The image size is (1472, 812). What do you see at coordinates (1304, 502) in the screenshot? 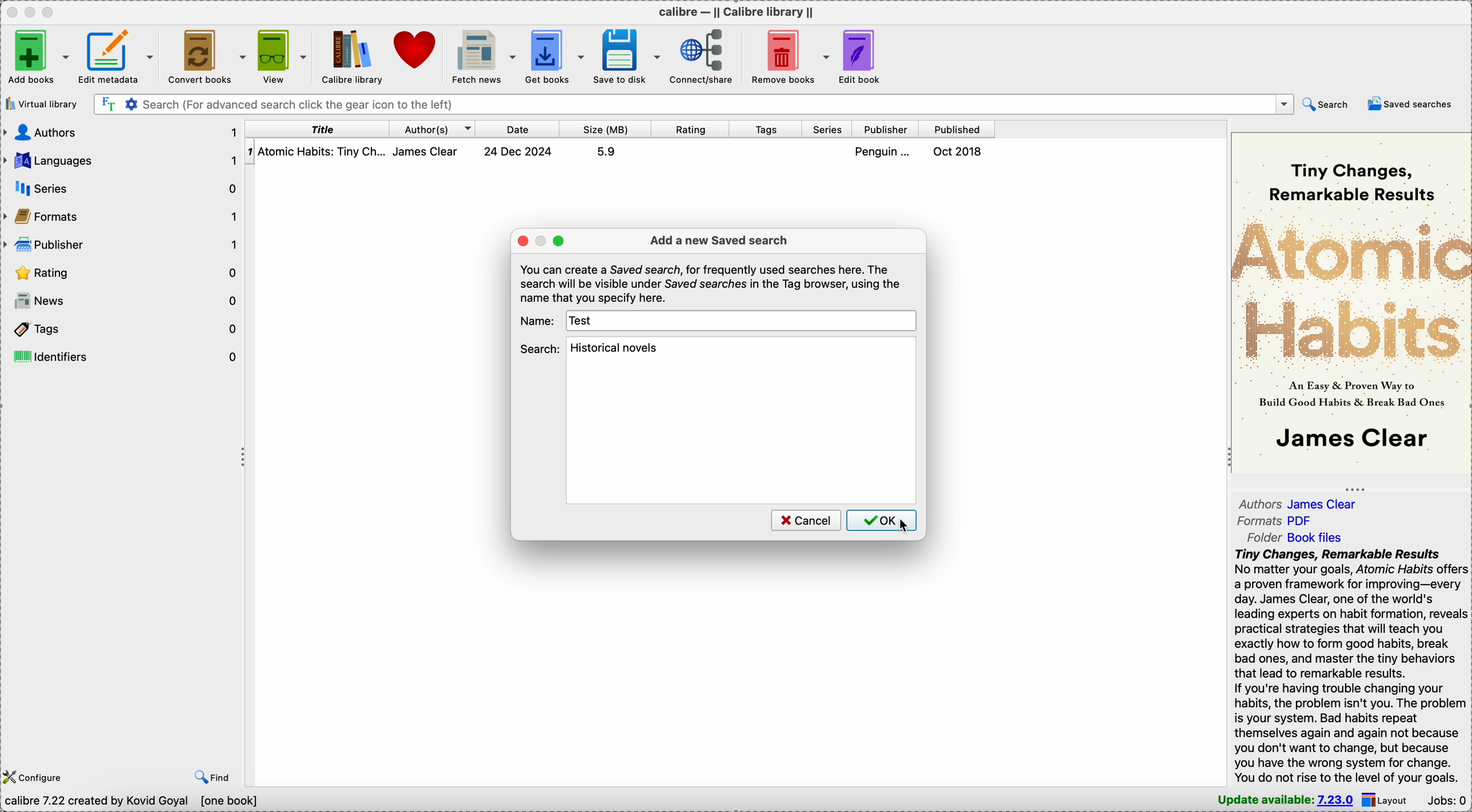
I see `authors James Clear` at bounding box center [1304, 502].